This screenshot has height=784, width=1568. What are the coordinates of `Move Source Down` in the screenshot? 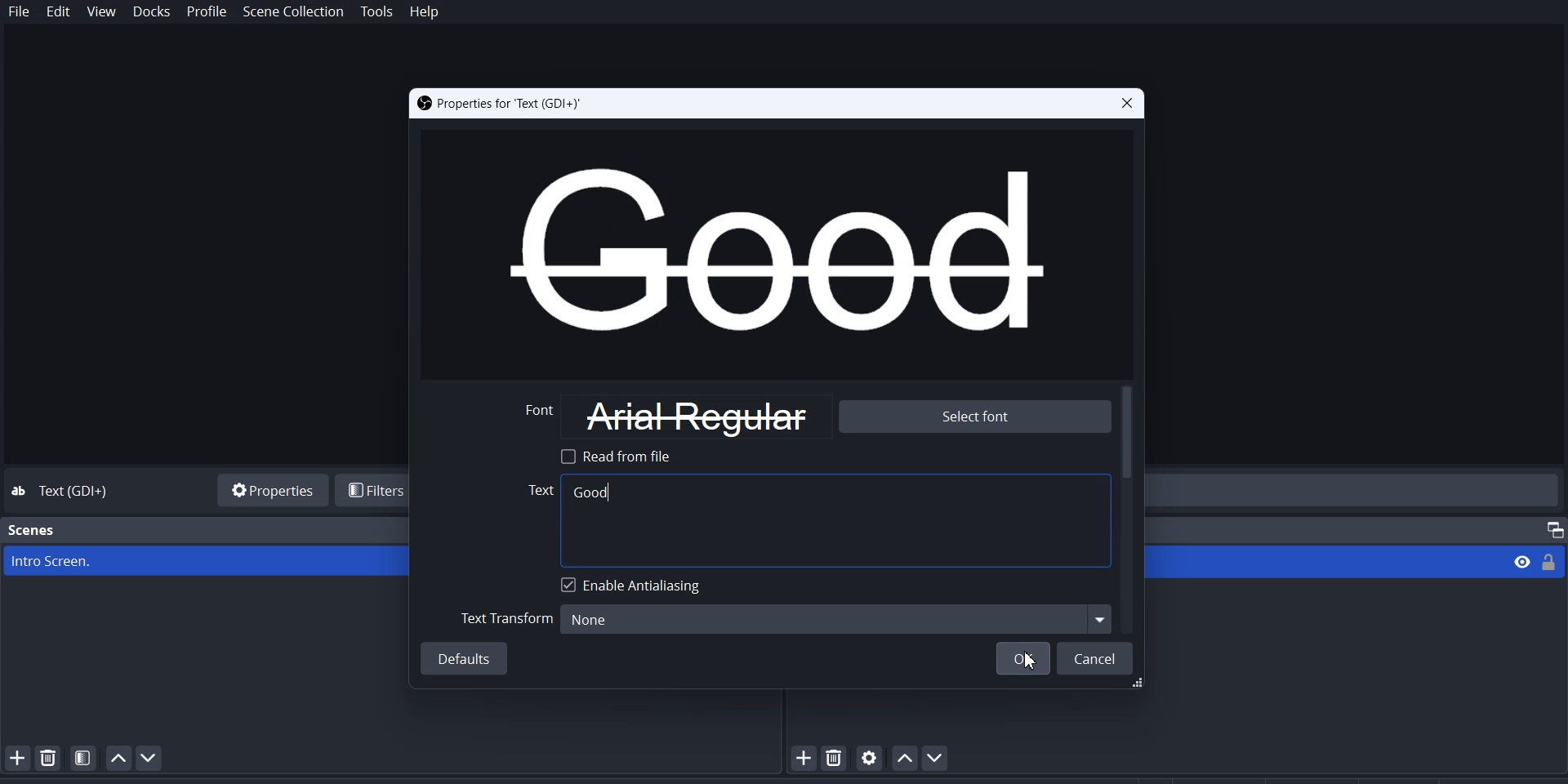 It's located at (938, 757).